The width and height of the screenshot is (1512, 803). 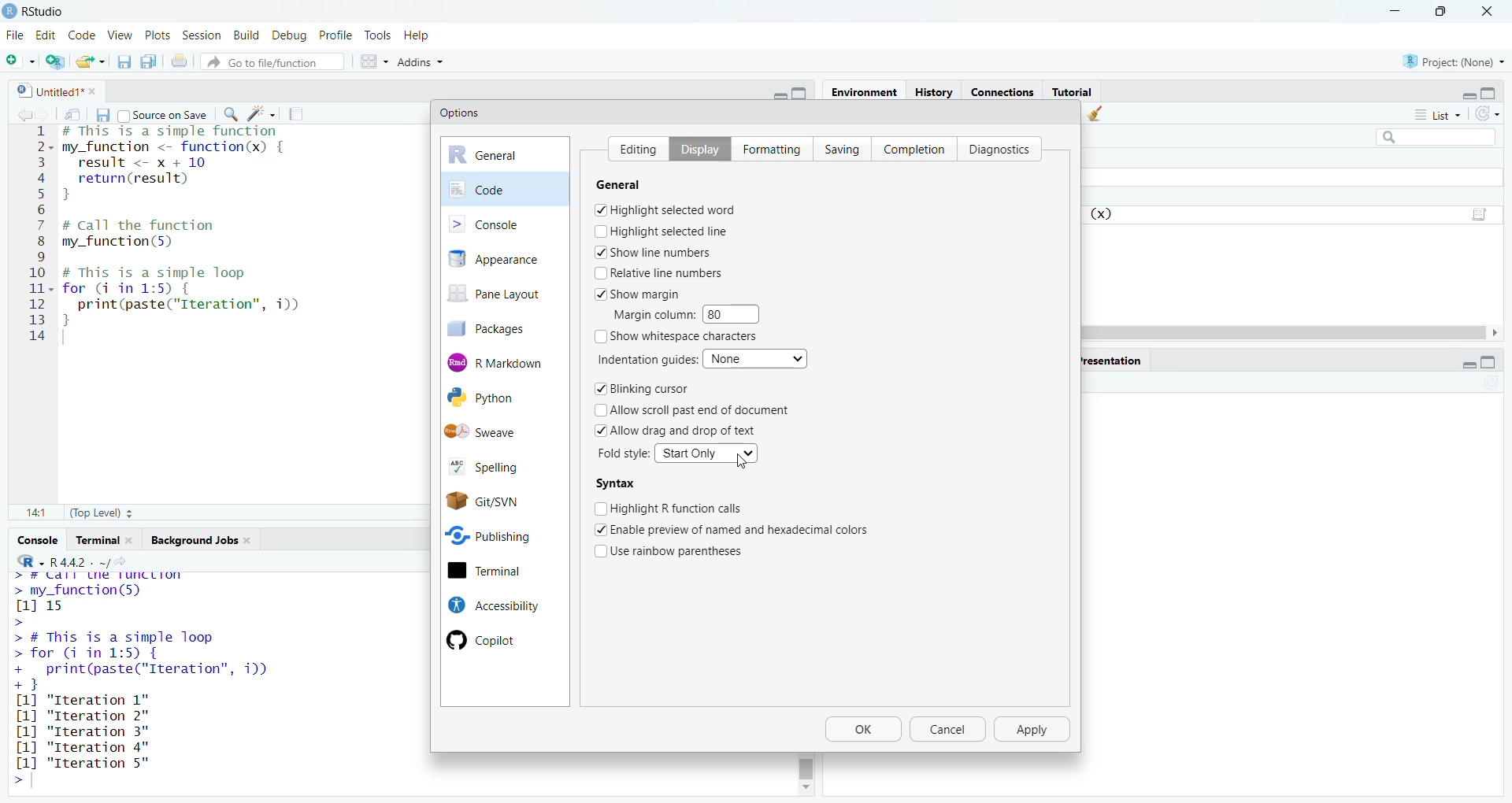 What do you see at coordinates (46, 35) in the screenshot?
I see `edit` at bounding box center [46, 35].